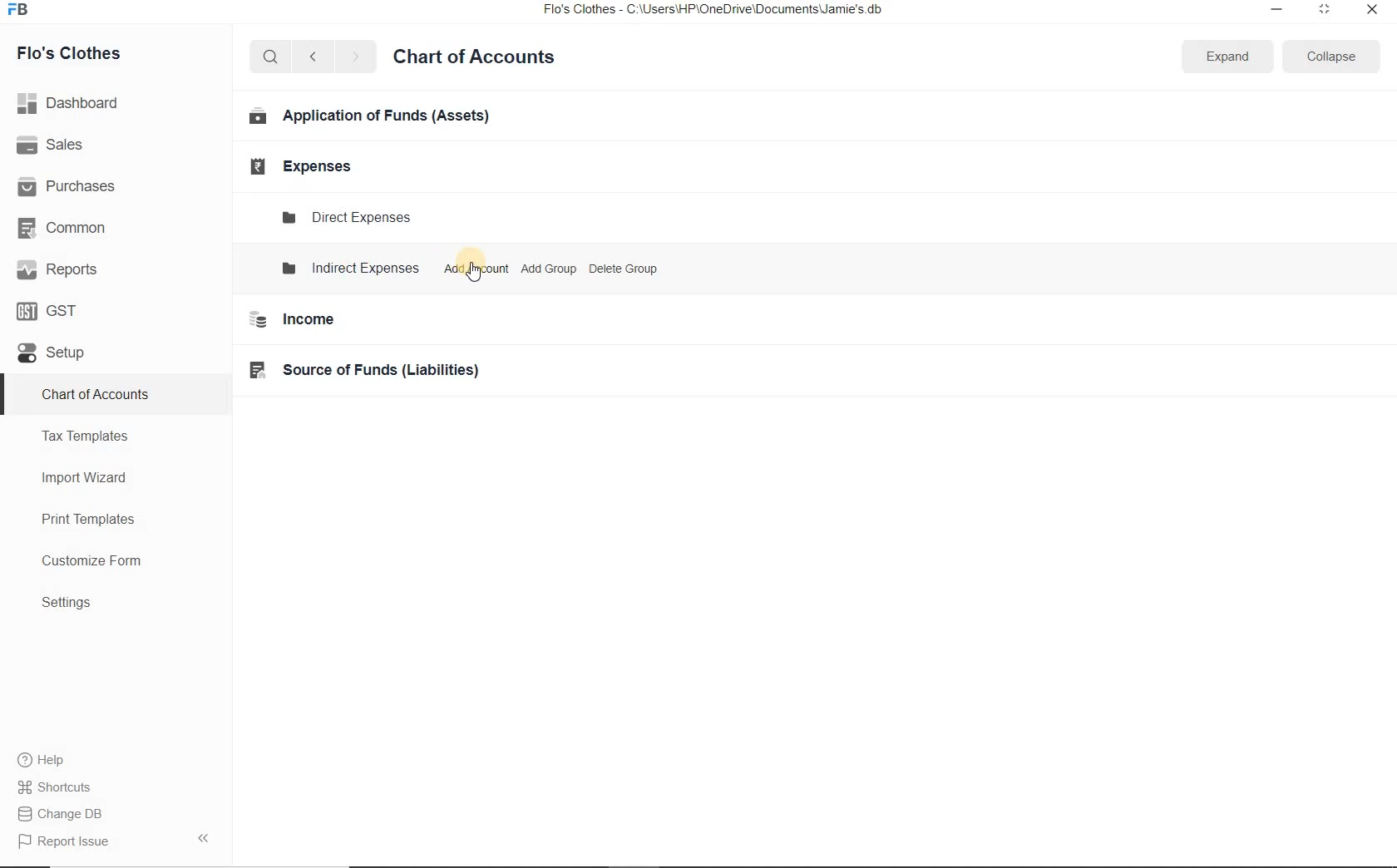  Describe the element at coordinates (86, 477) in the screenshot. I see `Import Wizard` at that location.